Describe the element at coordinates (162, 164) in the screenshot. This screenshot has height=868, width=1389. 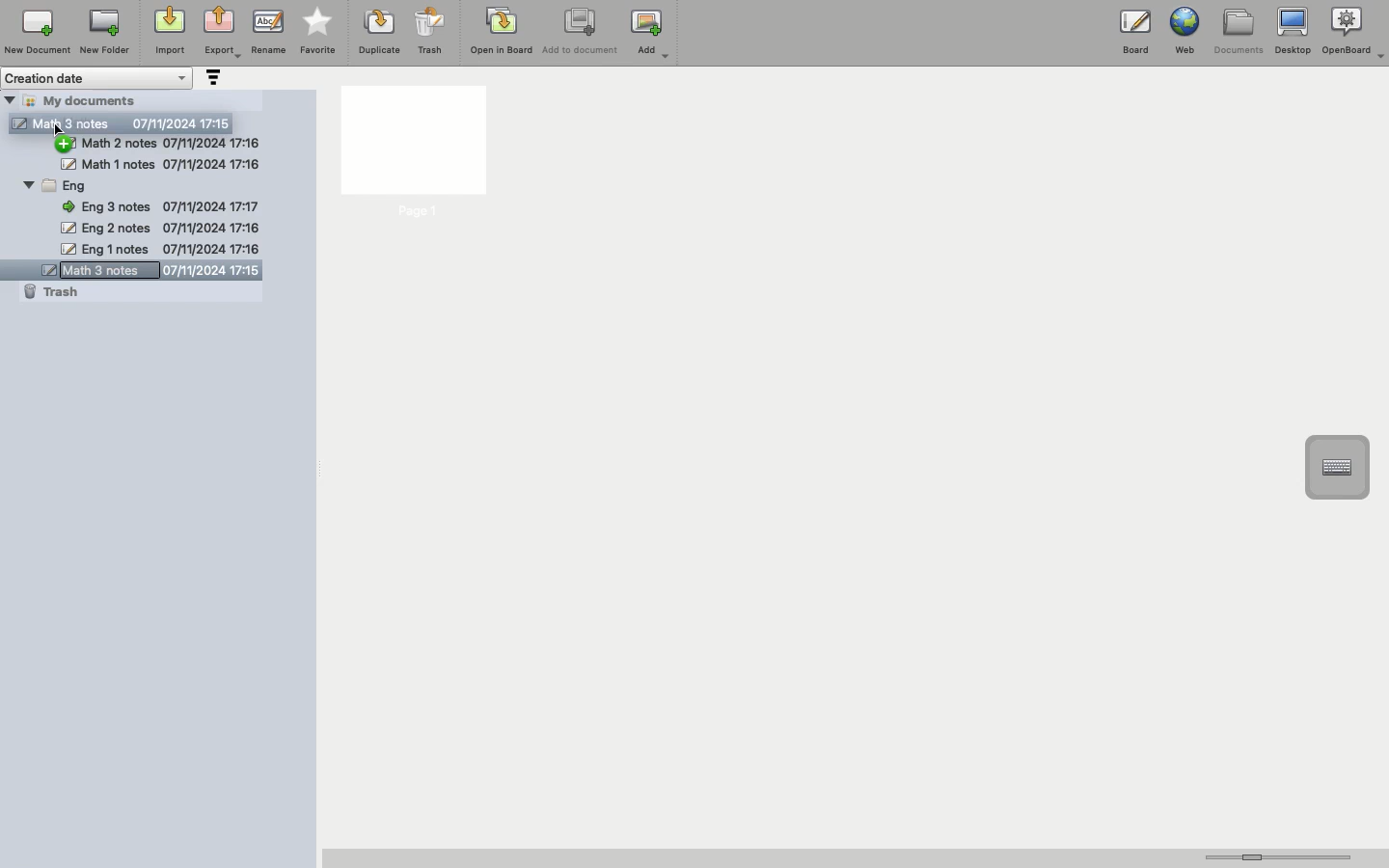
I see `Math 2 notes` at that location.